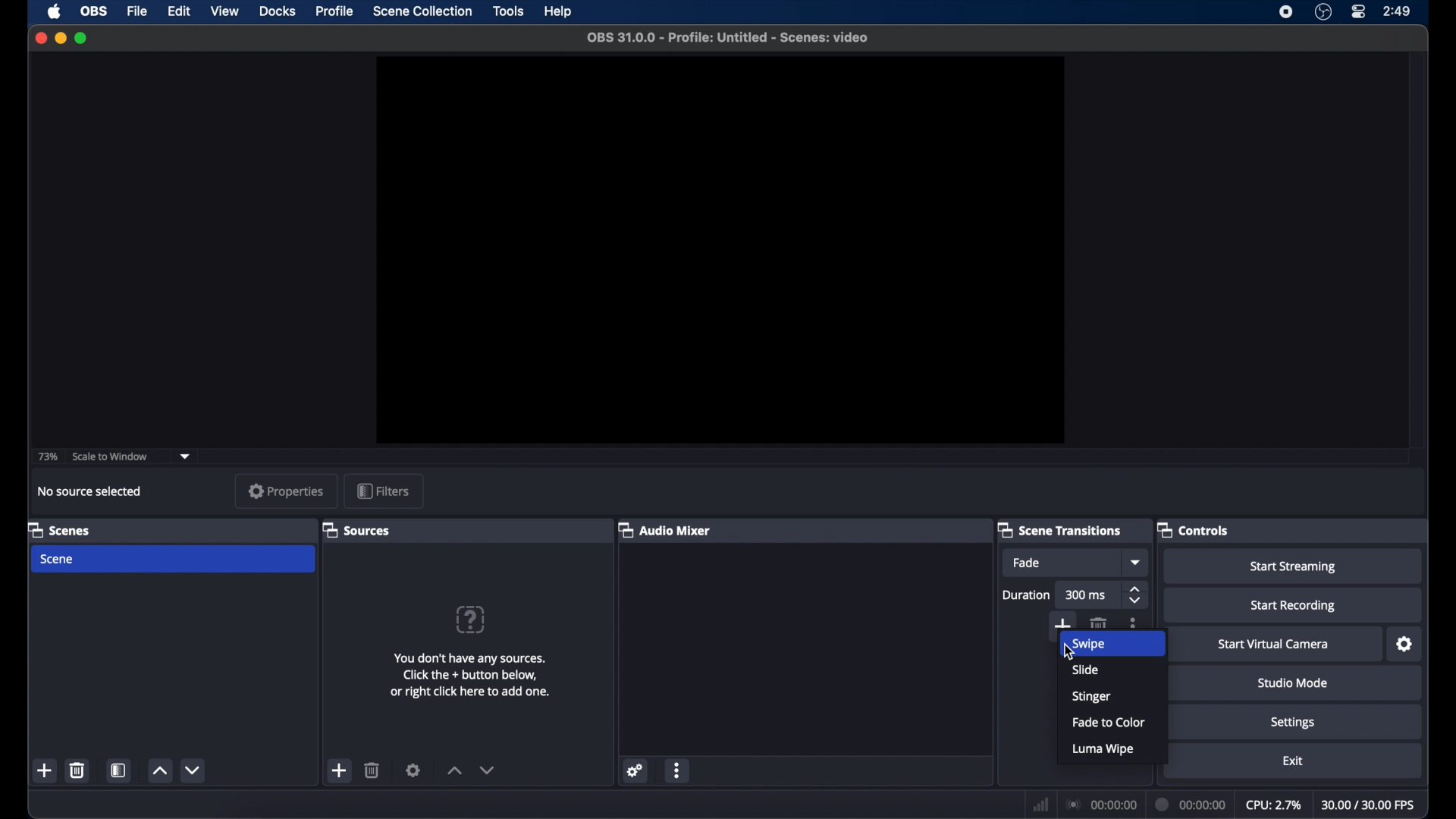  What do you see at coordinates (1294, 723) in the screenshot?
I see `settings` at bounding box center [1294, 723].